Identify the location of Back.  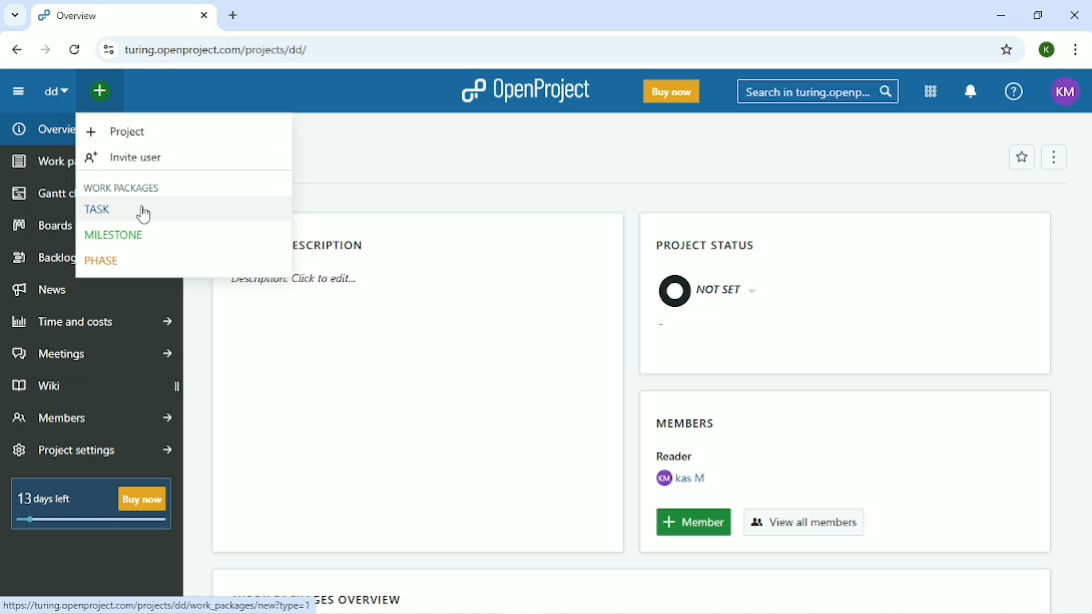
(17, 49).